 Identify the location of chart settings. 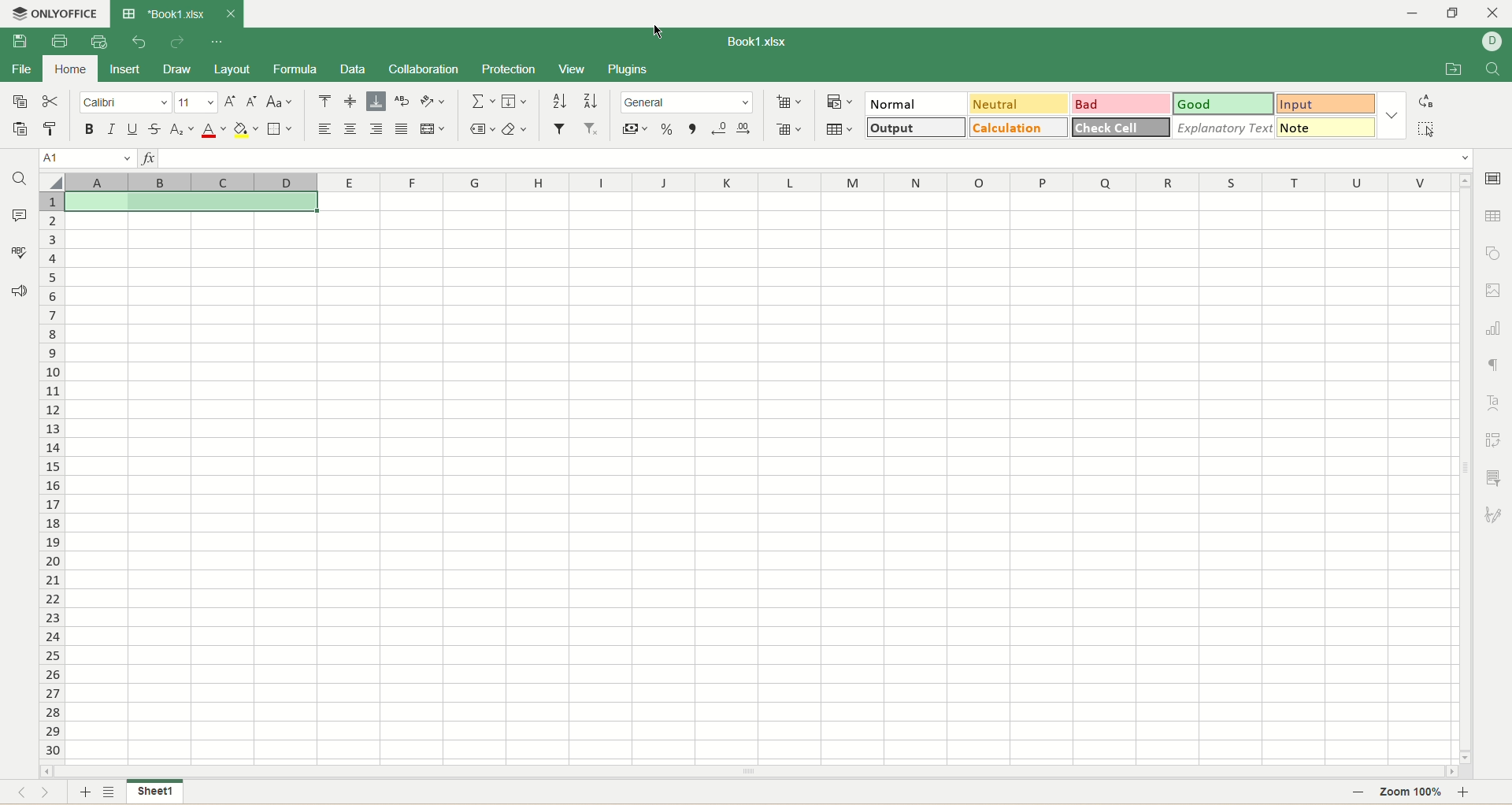
(1494, 327).